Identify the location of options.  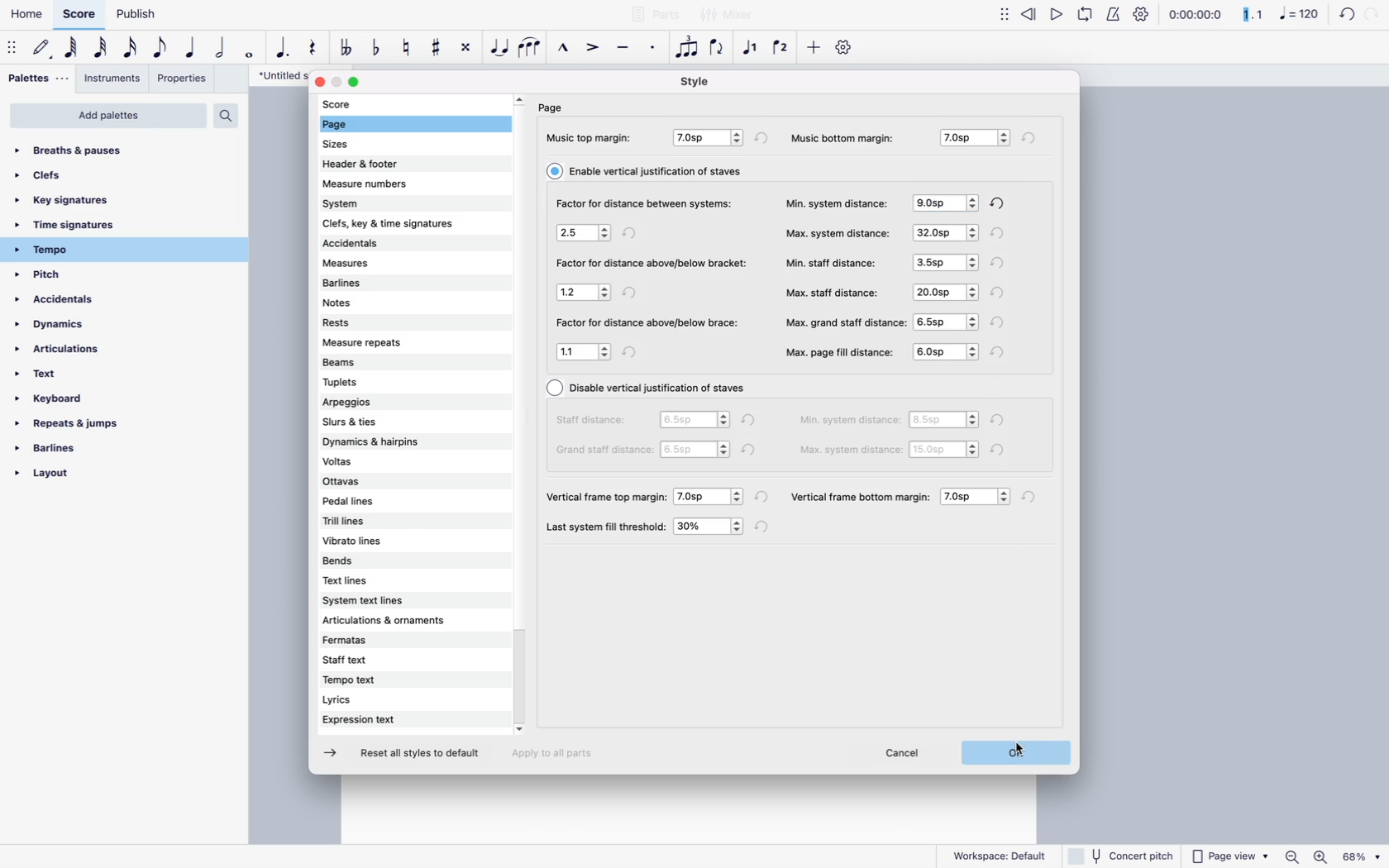
(943, 261).